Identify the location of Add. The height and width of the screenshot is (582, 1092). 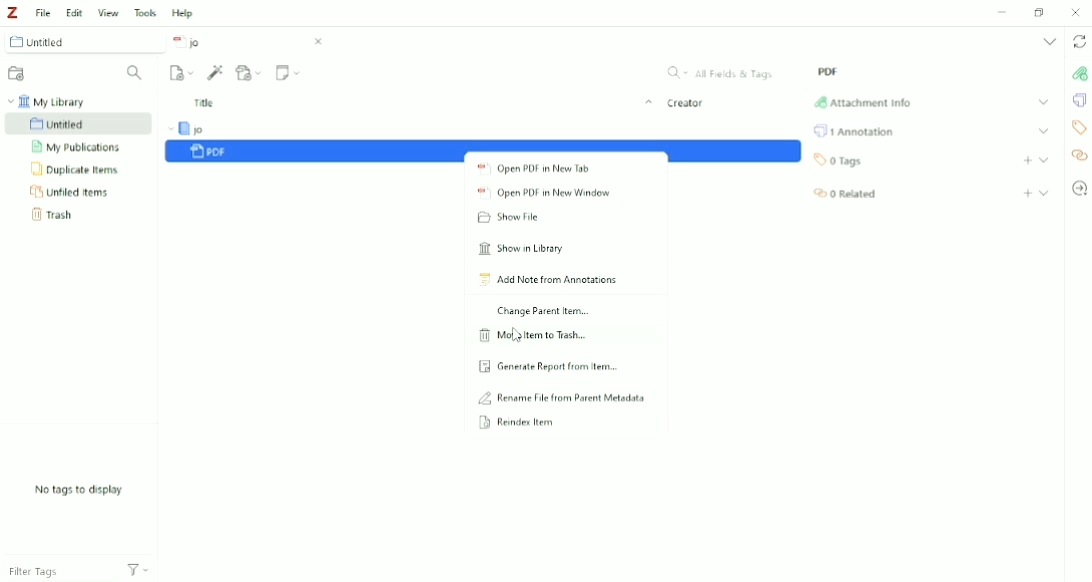
(1028, 194).